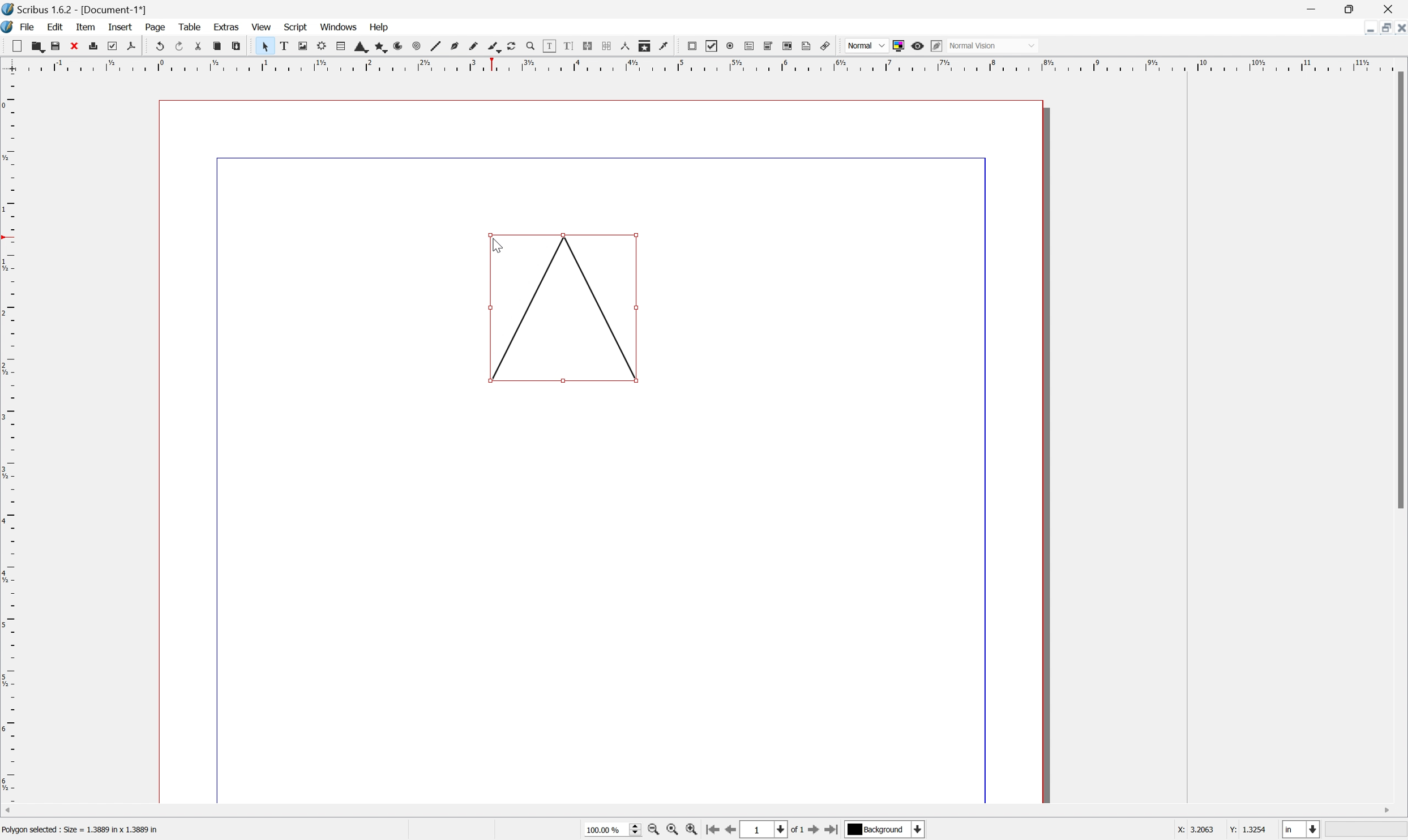 This screenshot has width=1408, height=840. I want to click on File, so click(27, 26).